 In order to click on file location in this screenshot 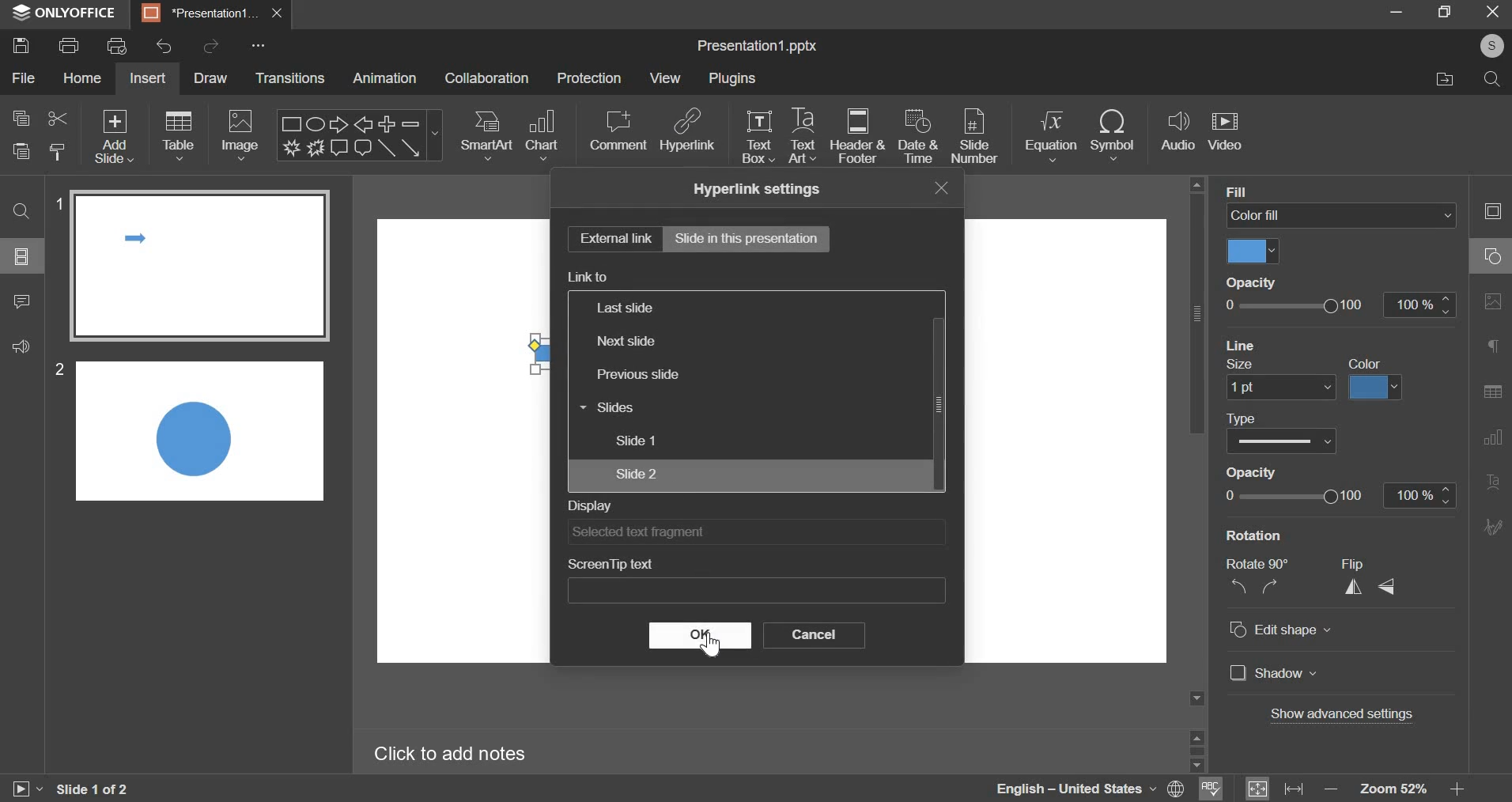, I will do `click(1446, 81)`.